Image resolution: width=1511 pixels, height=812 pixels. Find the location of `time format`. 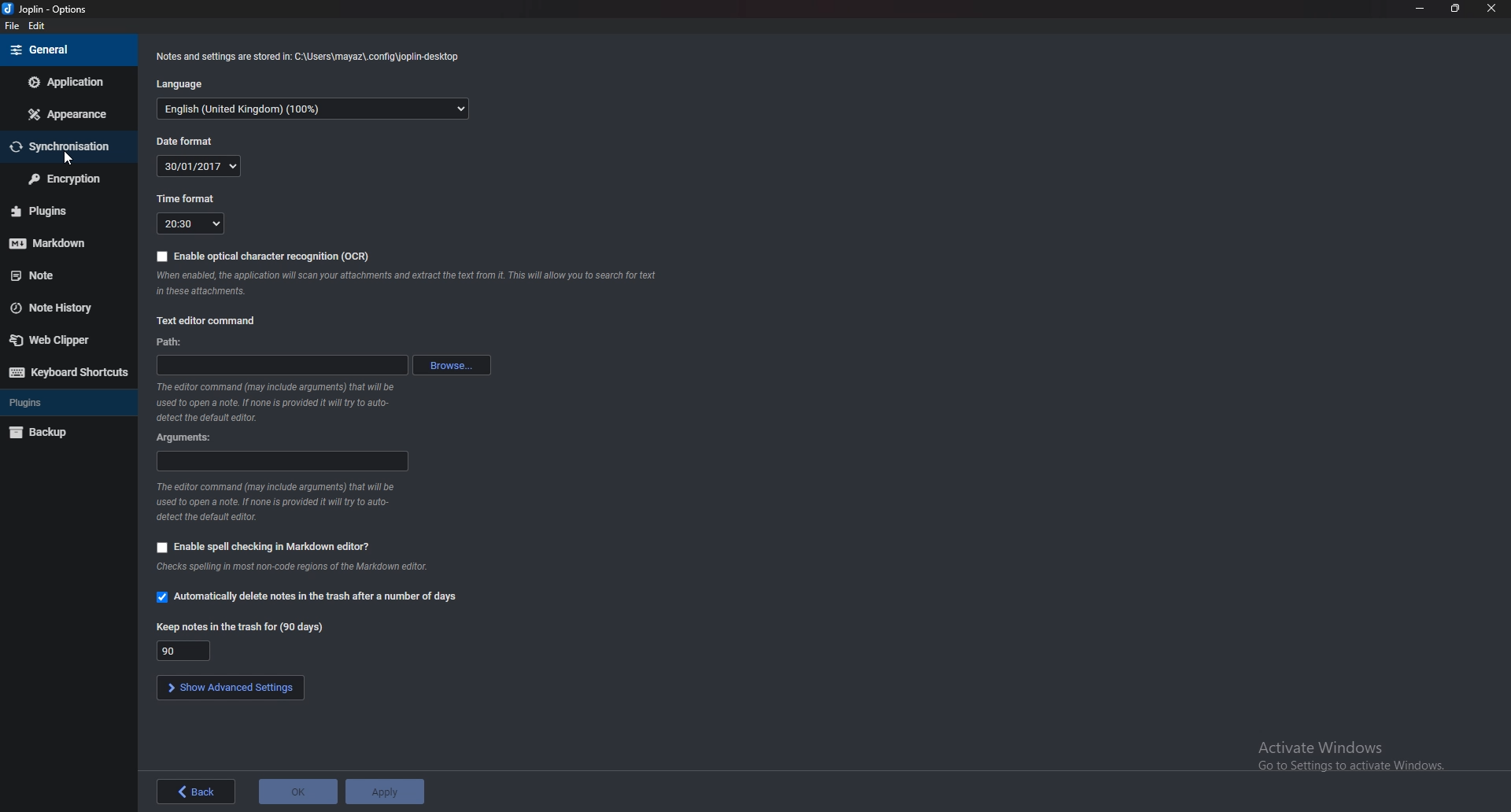

time format is located at coordinates (187, 197).